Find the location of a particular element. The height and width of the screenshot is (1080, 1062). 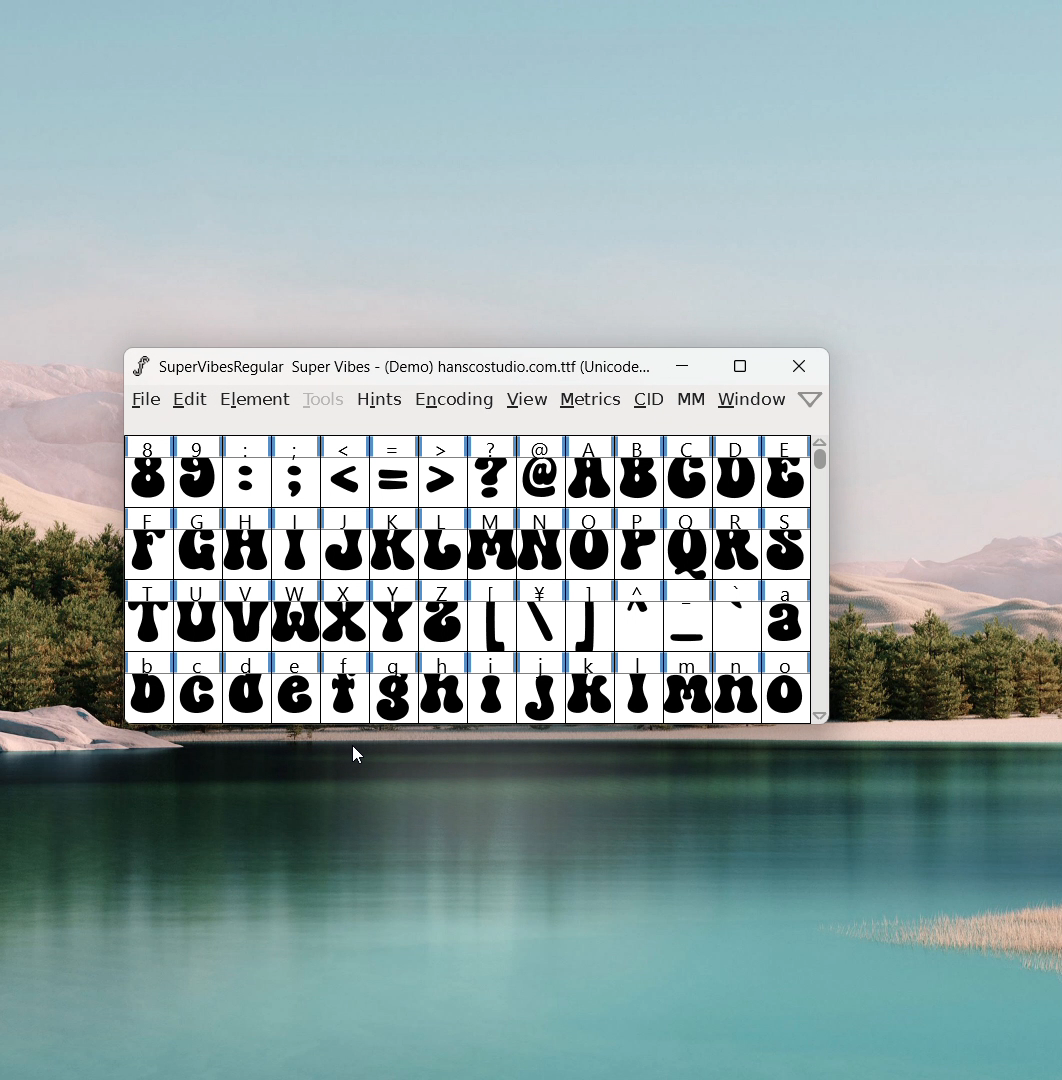

K is located at coordinates (394, 544).